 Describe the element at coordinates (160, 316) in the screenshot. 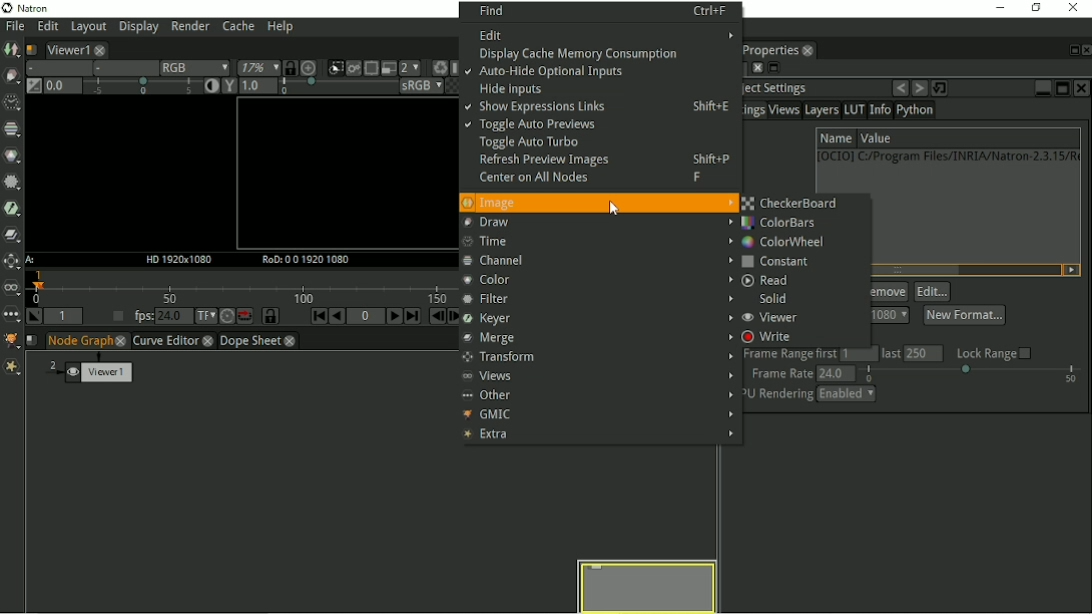

I see `fps` at that location.